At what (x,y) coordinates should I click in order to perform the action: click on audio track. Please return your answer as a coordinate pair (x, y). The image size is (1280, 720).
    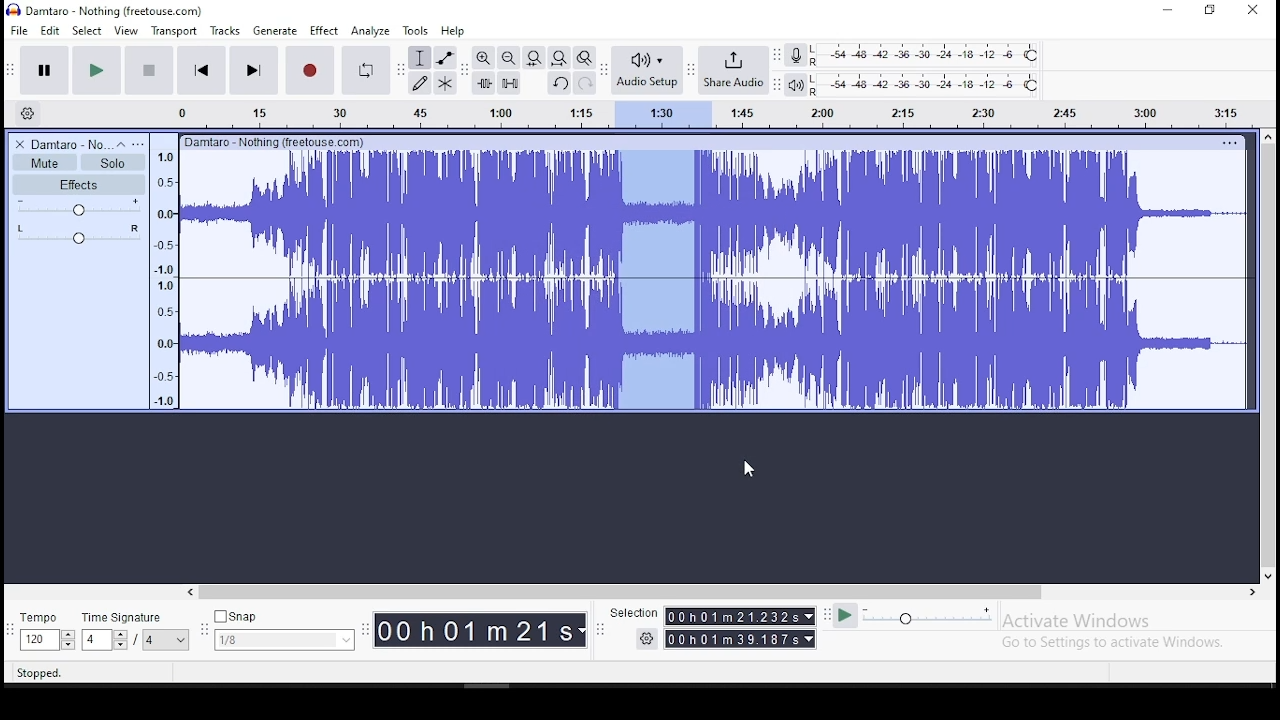
    Looking at the image, I should click on (711, 214).